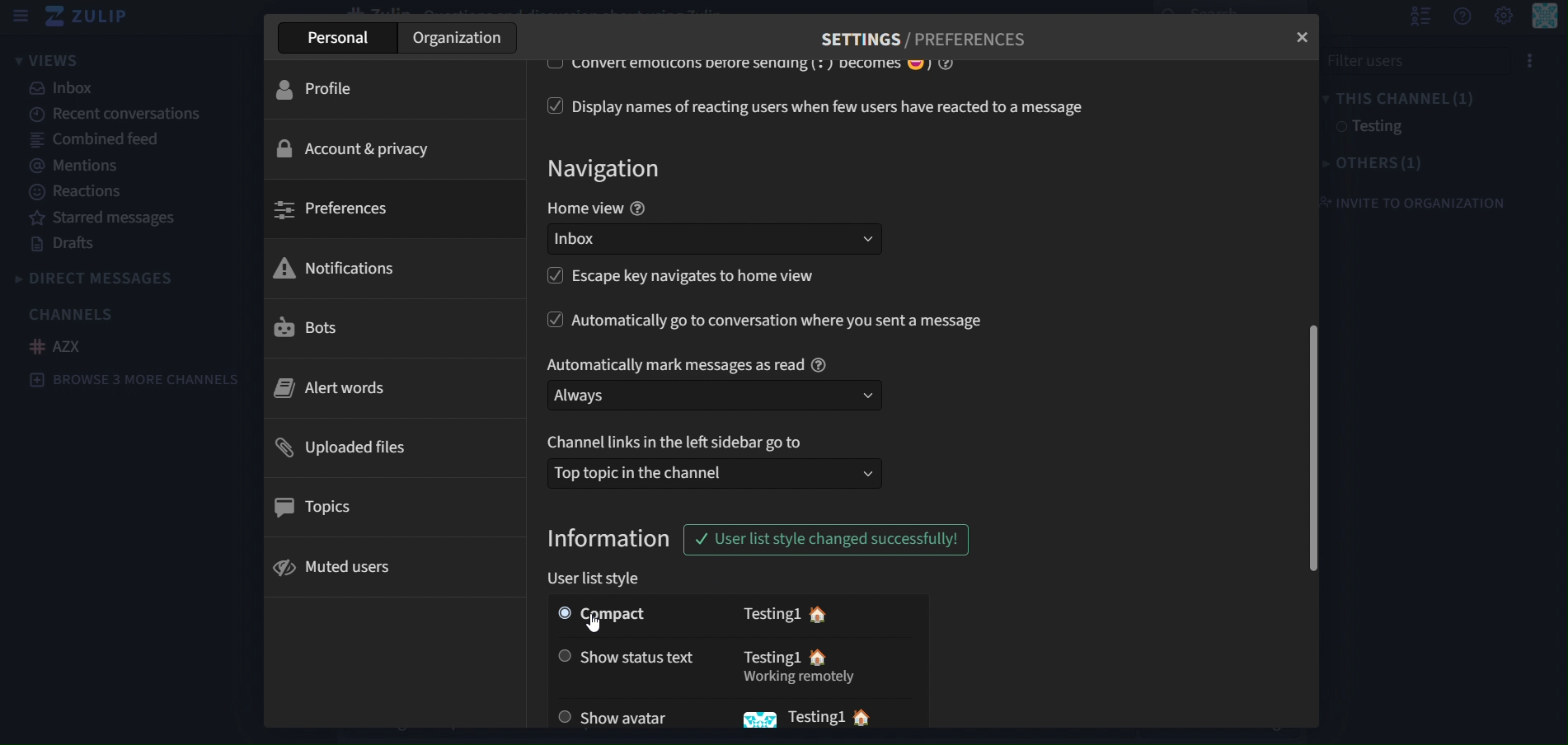  I want to click on information, so click(612, 539).